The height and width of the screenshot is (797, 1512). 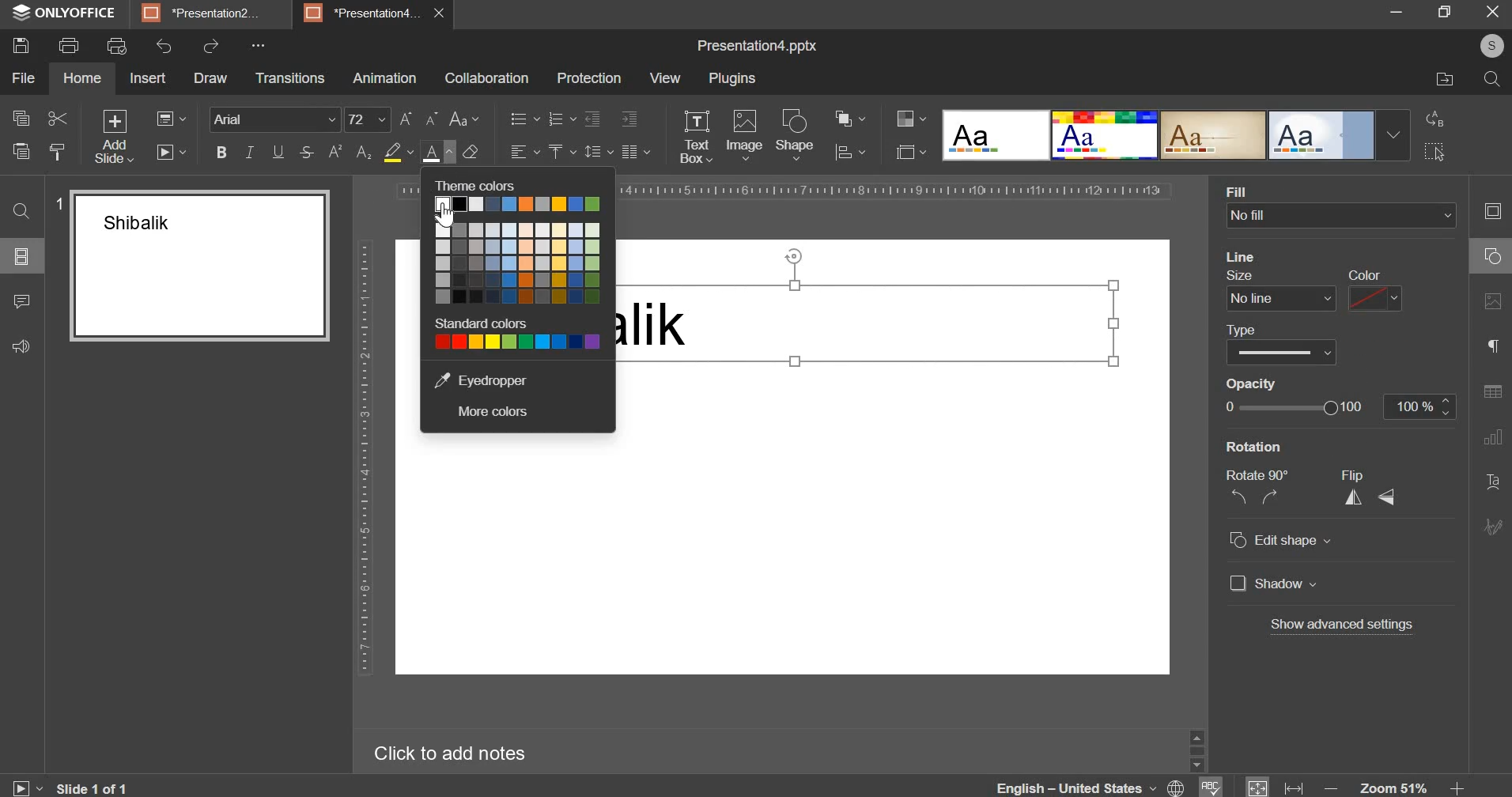 What do you see at coordinates (275, 119) in the screenshot?
I see `font` at bounding box center [275, 119].